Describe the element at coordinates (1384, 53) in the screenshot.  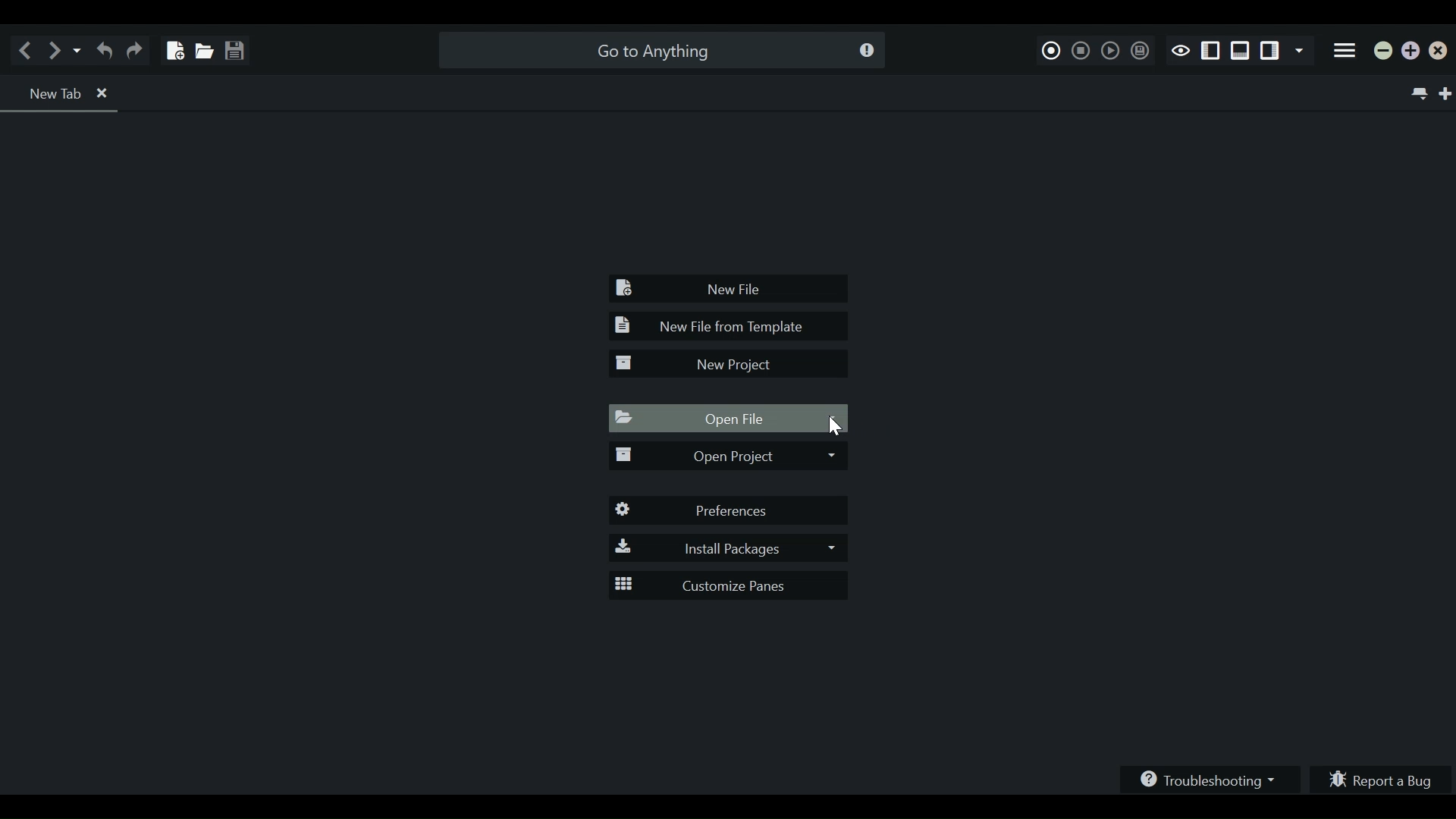
I see `minimize` at that location.